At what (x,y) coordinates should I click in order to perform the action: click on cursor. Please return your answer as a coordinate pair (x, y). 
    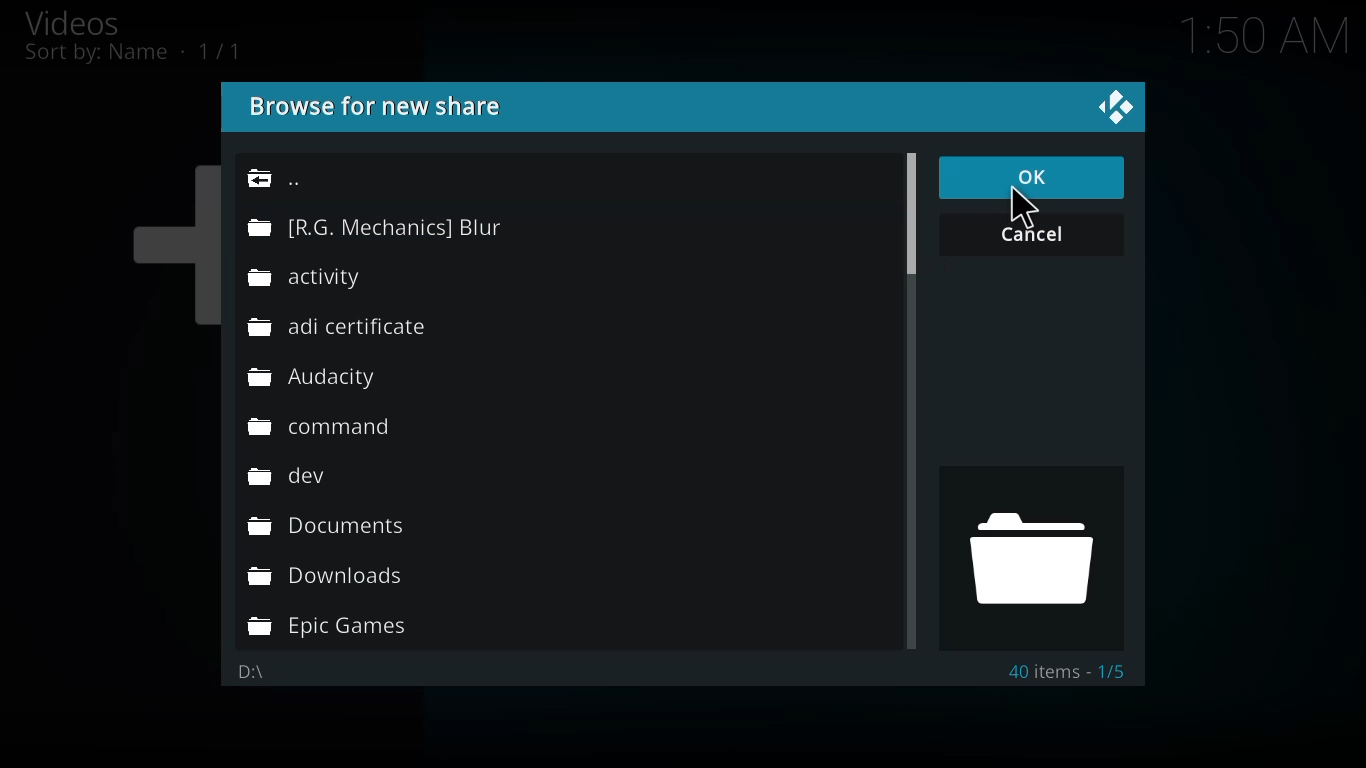
    Looking at the image, I should click on (1025, 205).